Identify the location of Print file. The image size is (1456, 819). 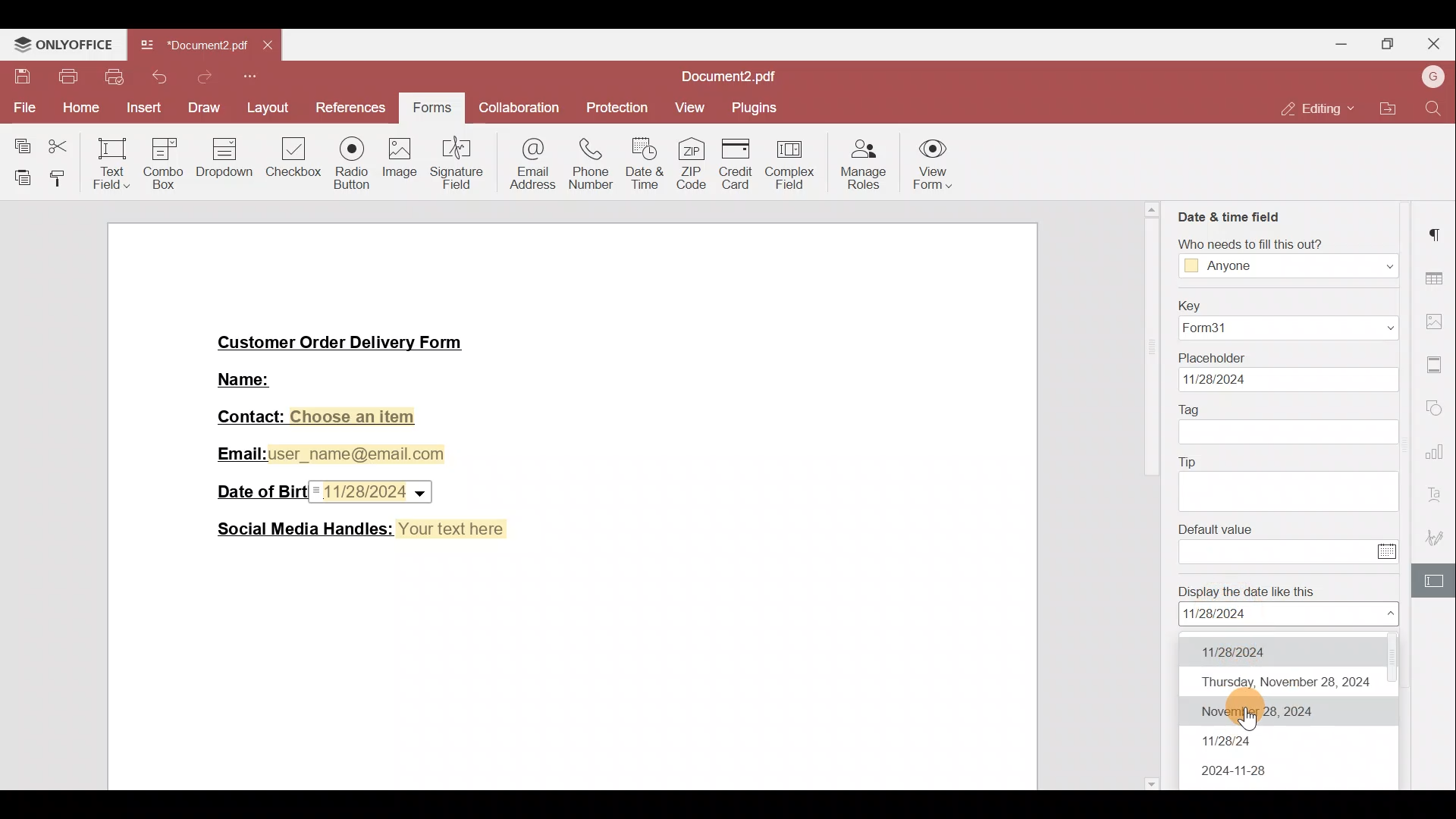
(63, 77).